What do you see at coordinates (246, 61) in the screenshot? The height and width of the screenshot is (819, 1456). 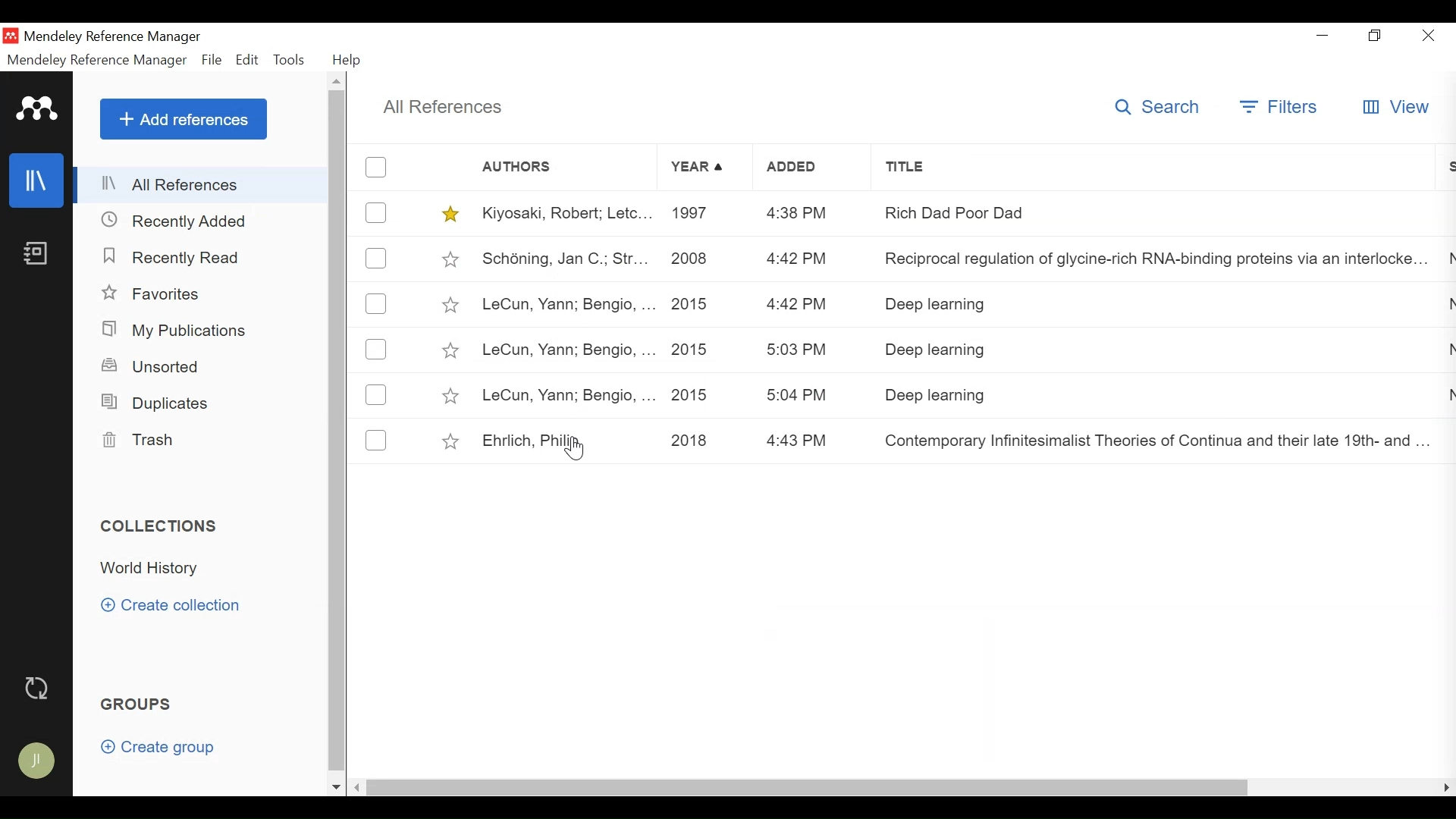 I see `Edit` at bounding box center [246, 61].